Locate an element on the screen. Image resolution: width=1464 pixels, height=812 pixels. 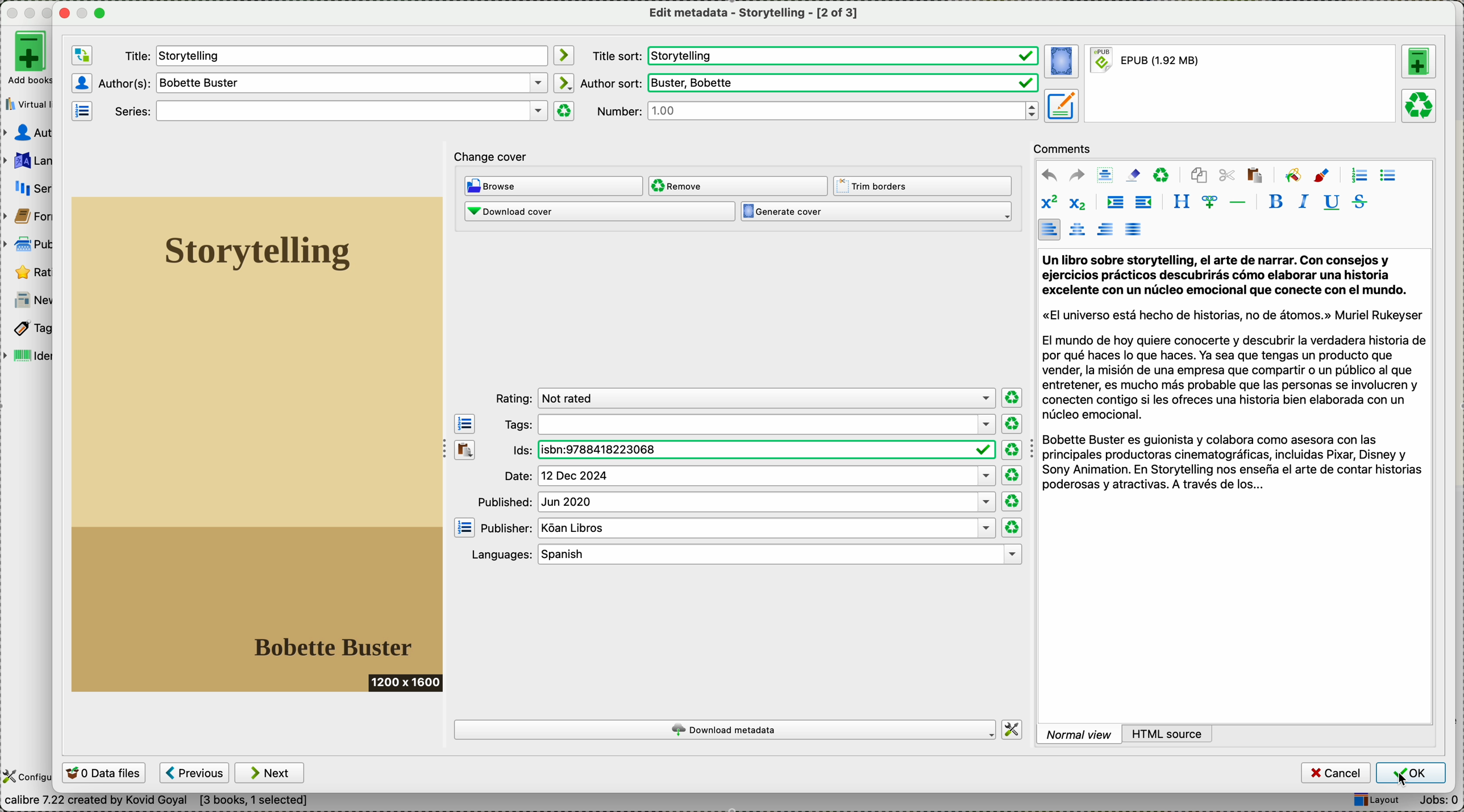
strikethrough is located at coordinates (1357, 202).